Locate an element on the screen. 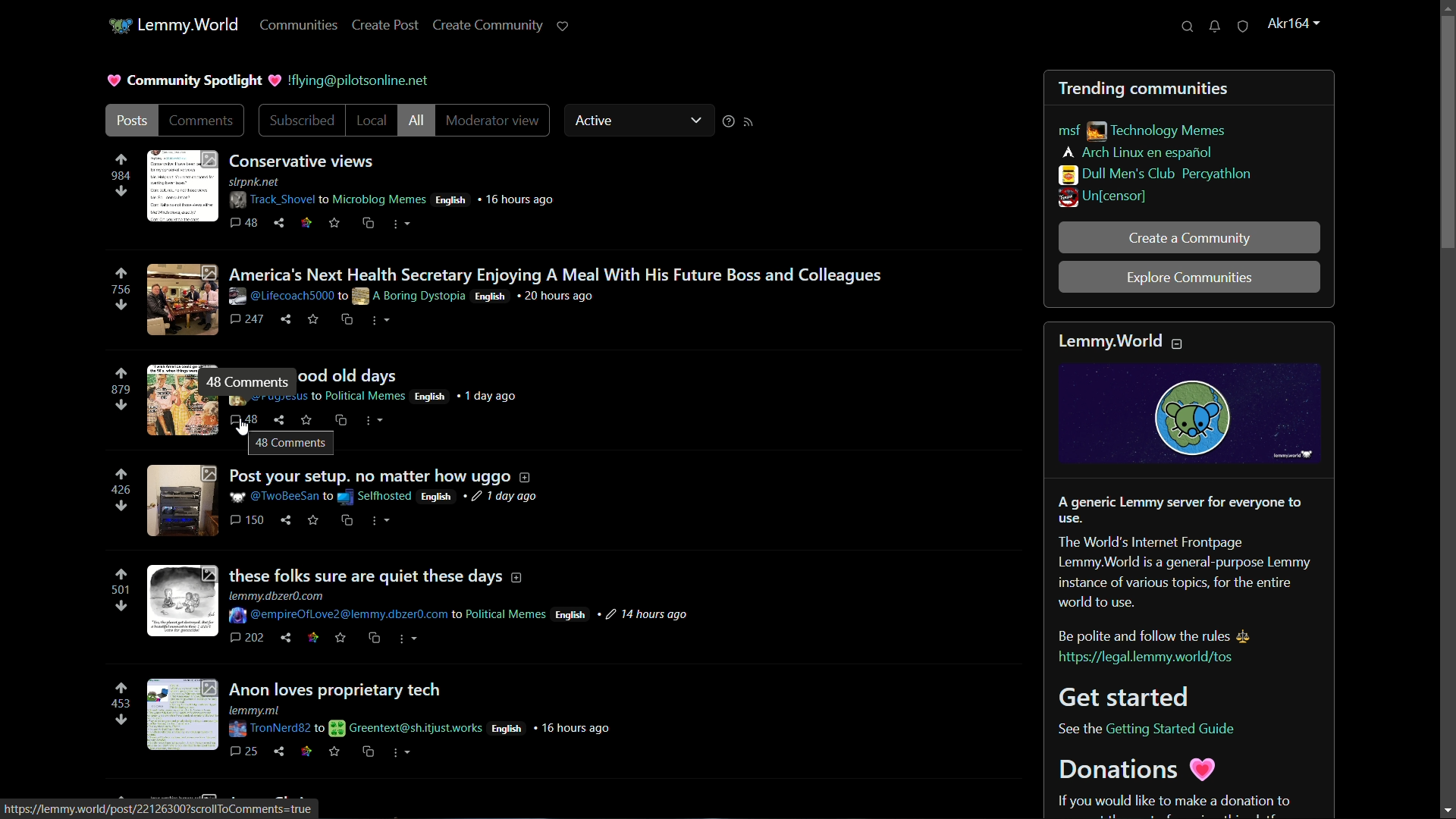 This screenshot has height=819, width=1456. moderator view is located at coordinates (493, 120).